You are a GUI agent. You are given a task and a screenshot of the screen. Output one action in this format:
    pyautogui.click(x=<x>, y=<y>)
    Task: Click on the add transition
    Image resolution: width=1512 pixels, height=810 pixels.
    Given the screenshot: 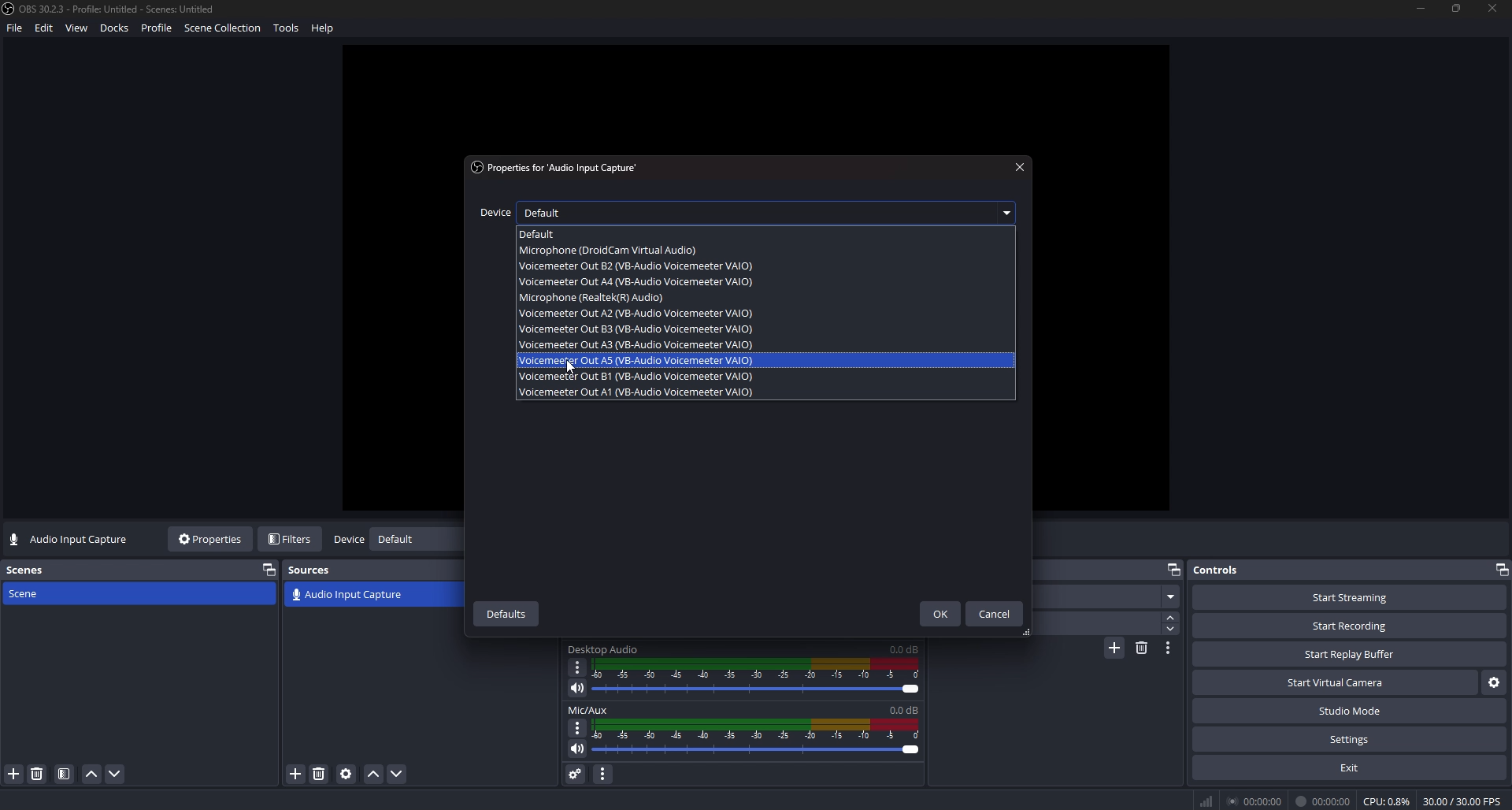 What is the action you would take?
    pyautogui.click(x=1114, y=650)
    